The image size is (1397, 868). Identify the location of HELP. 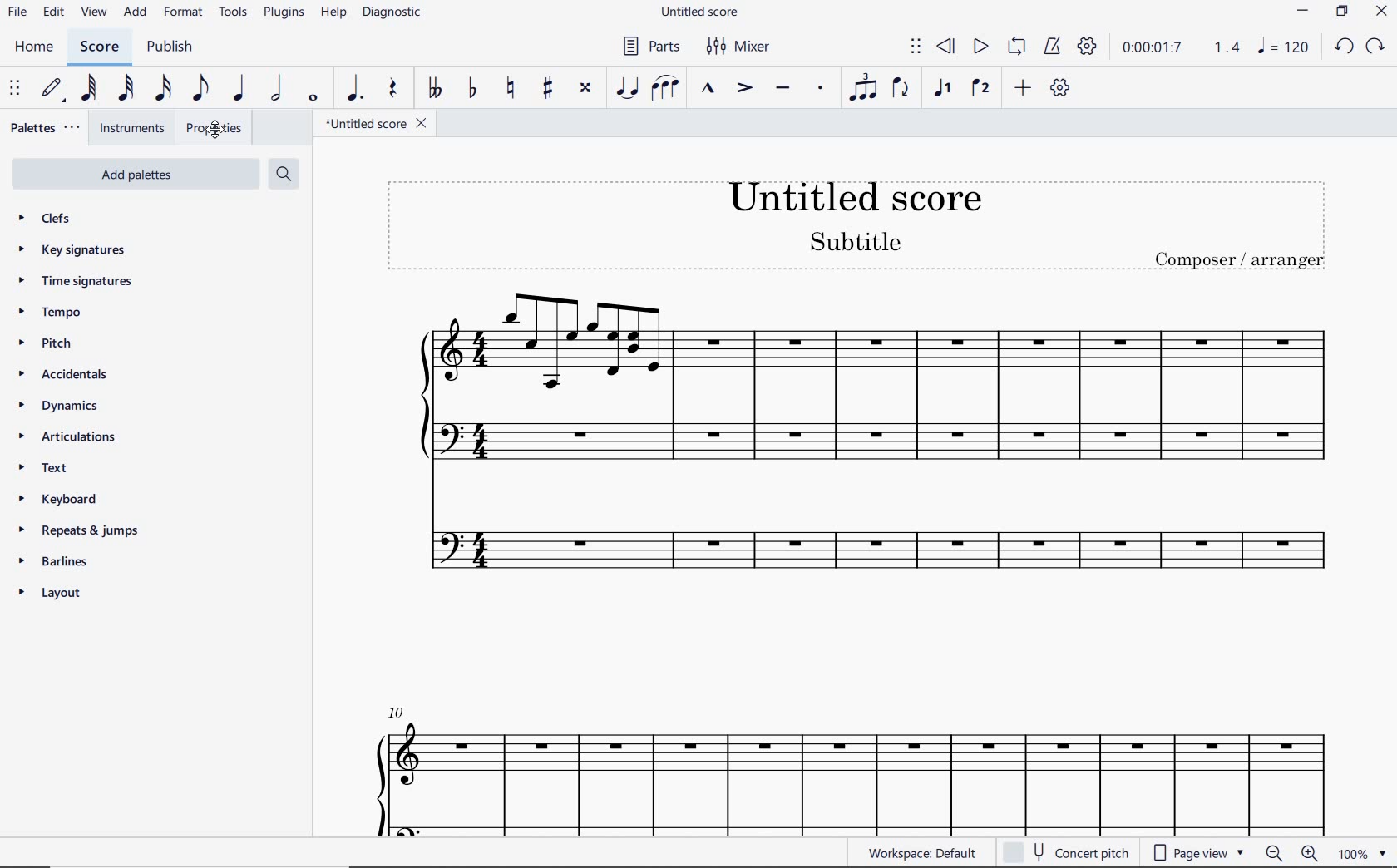
(333, 12).